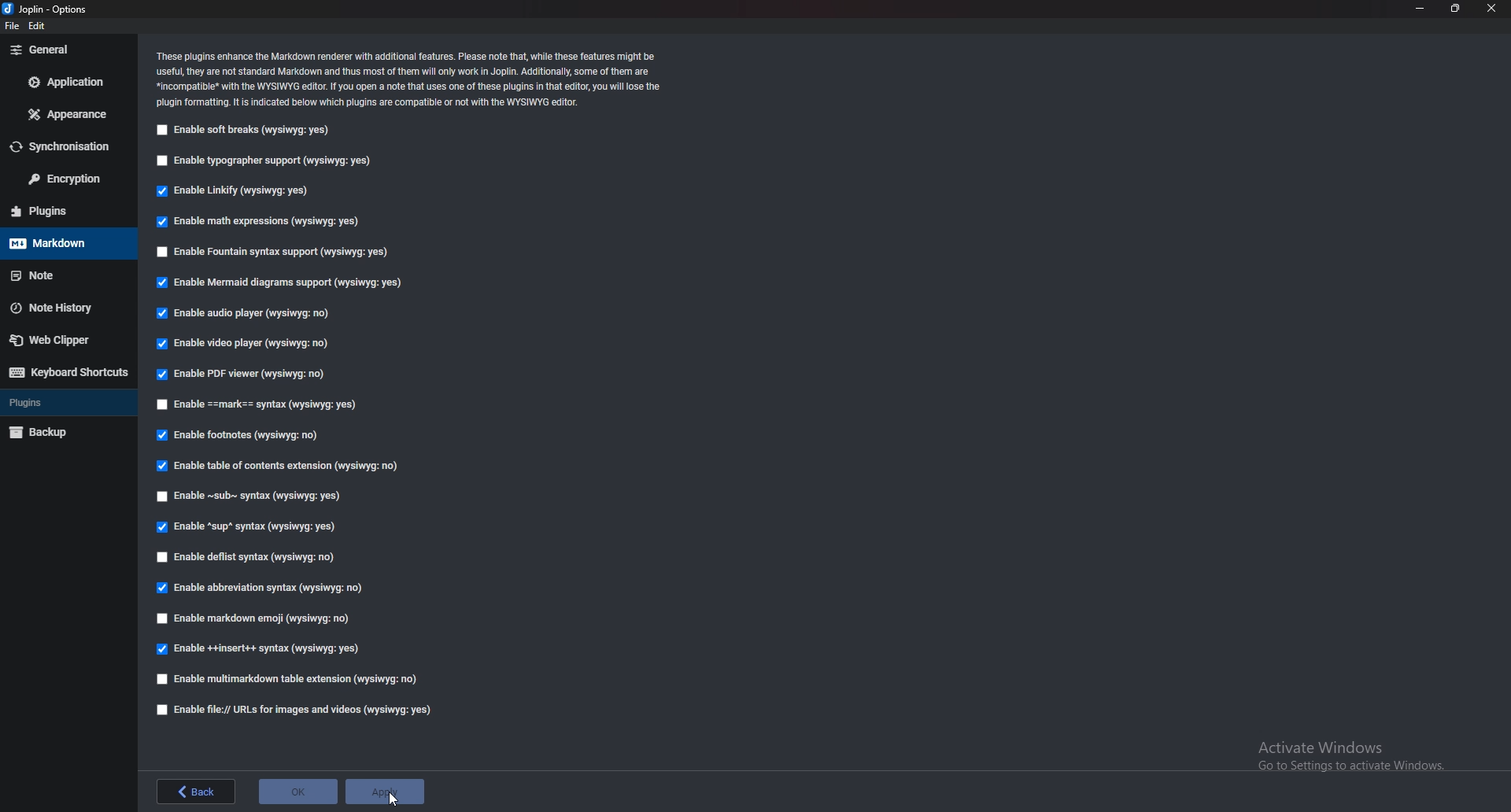 The width and height of the screenshot is (1511, 812). What do you see at coordinates (246, 528) in the screenshot?
I see `Enable sup syntax` at bounding box center [246, 528].